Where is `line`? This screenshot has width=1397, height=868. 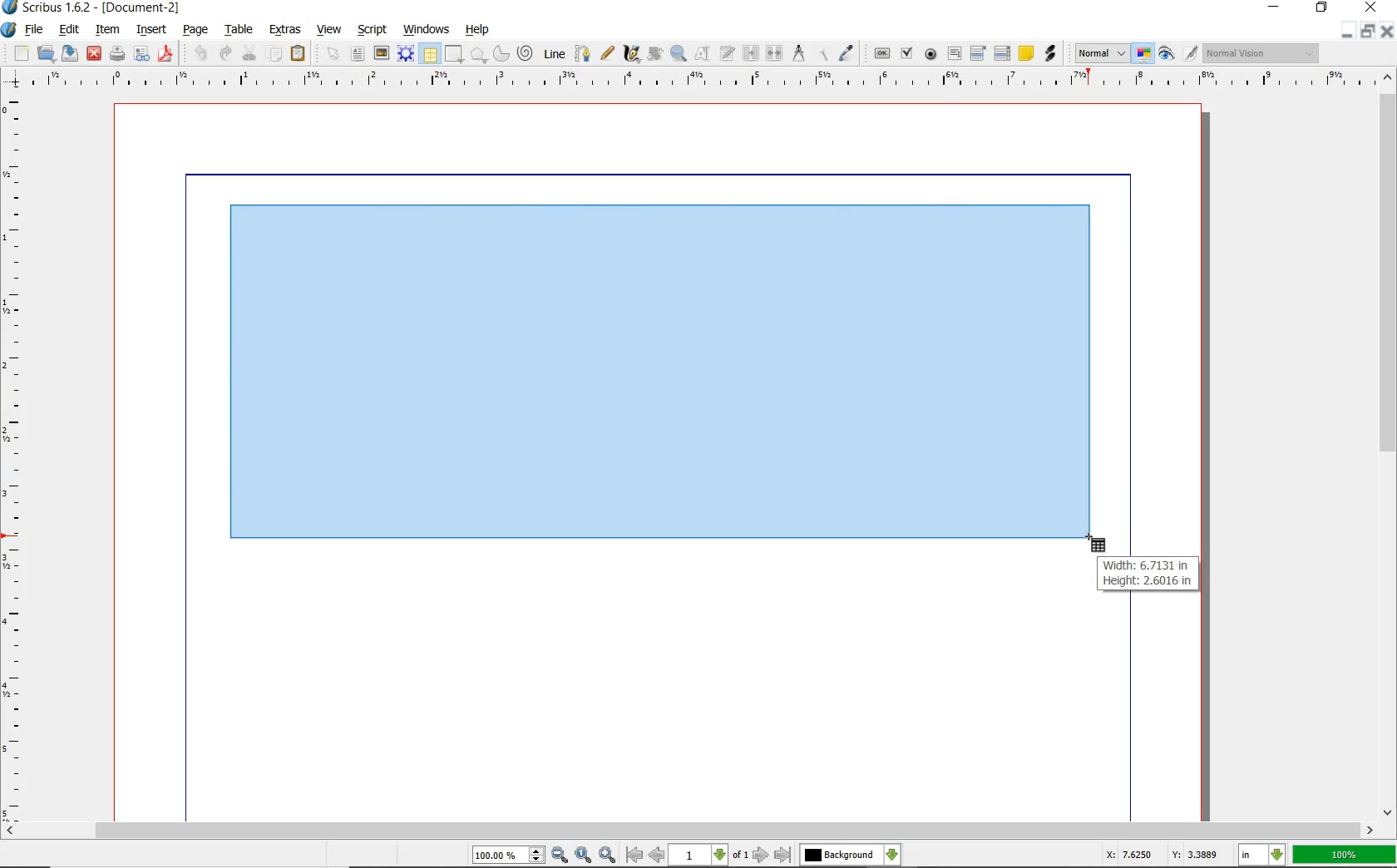 line is located at coordinates (555, 55).